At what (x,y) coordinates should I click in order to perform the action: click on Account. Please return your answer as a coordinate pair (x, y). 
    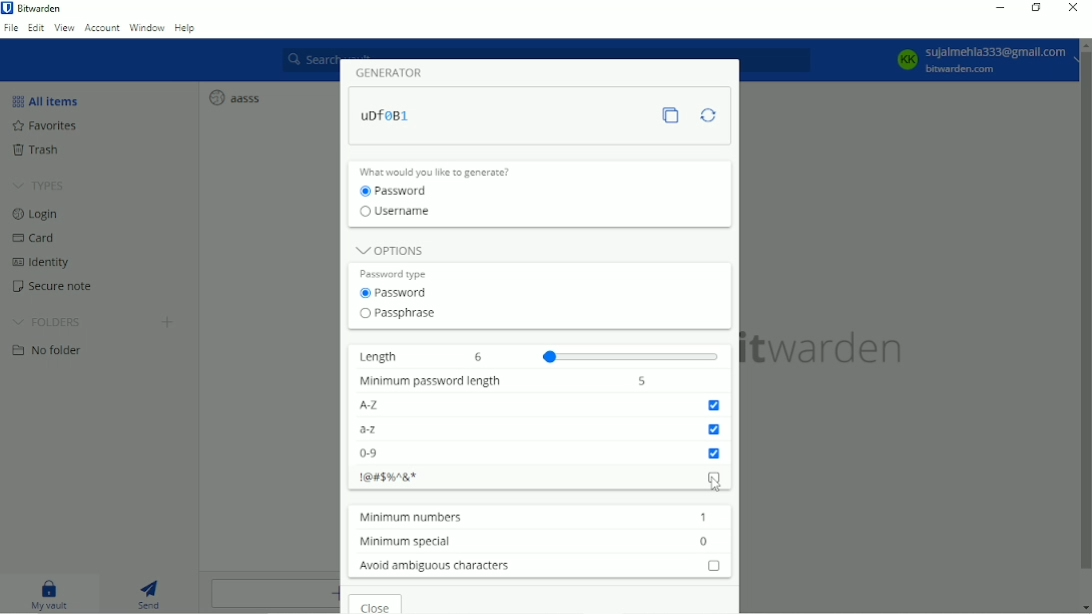
    Looking at the image, I should click on (102, 28).